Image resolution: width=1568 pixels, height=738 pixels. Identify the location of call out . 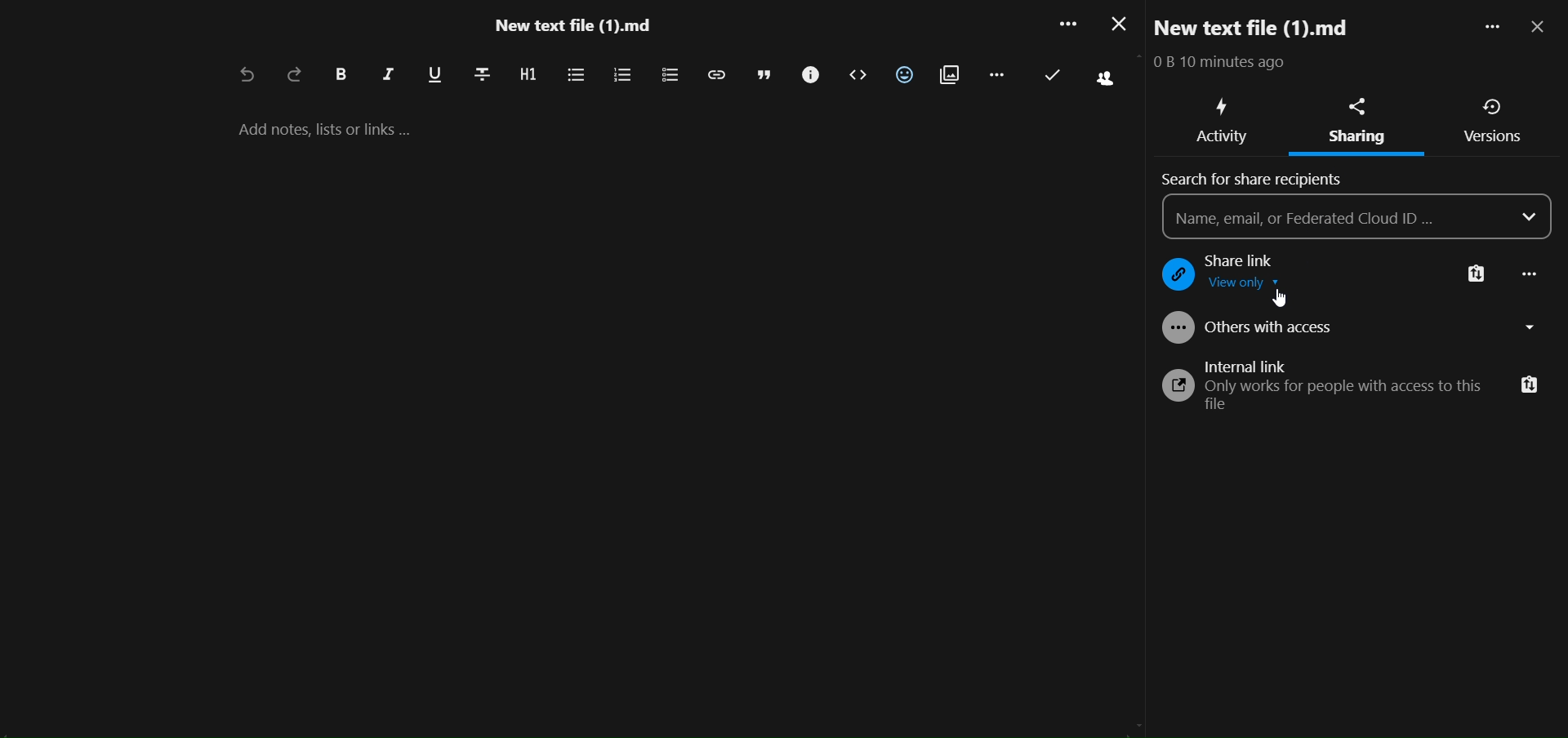
(808, 75).